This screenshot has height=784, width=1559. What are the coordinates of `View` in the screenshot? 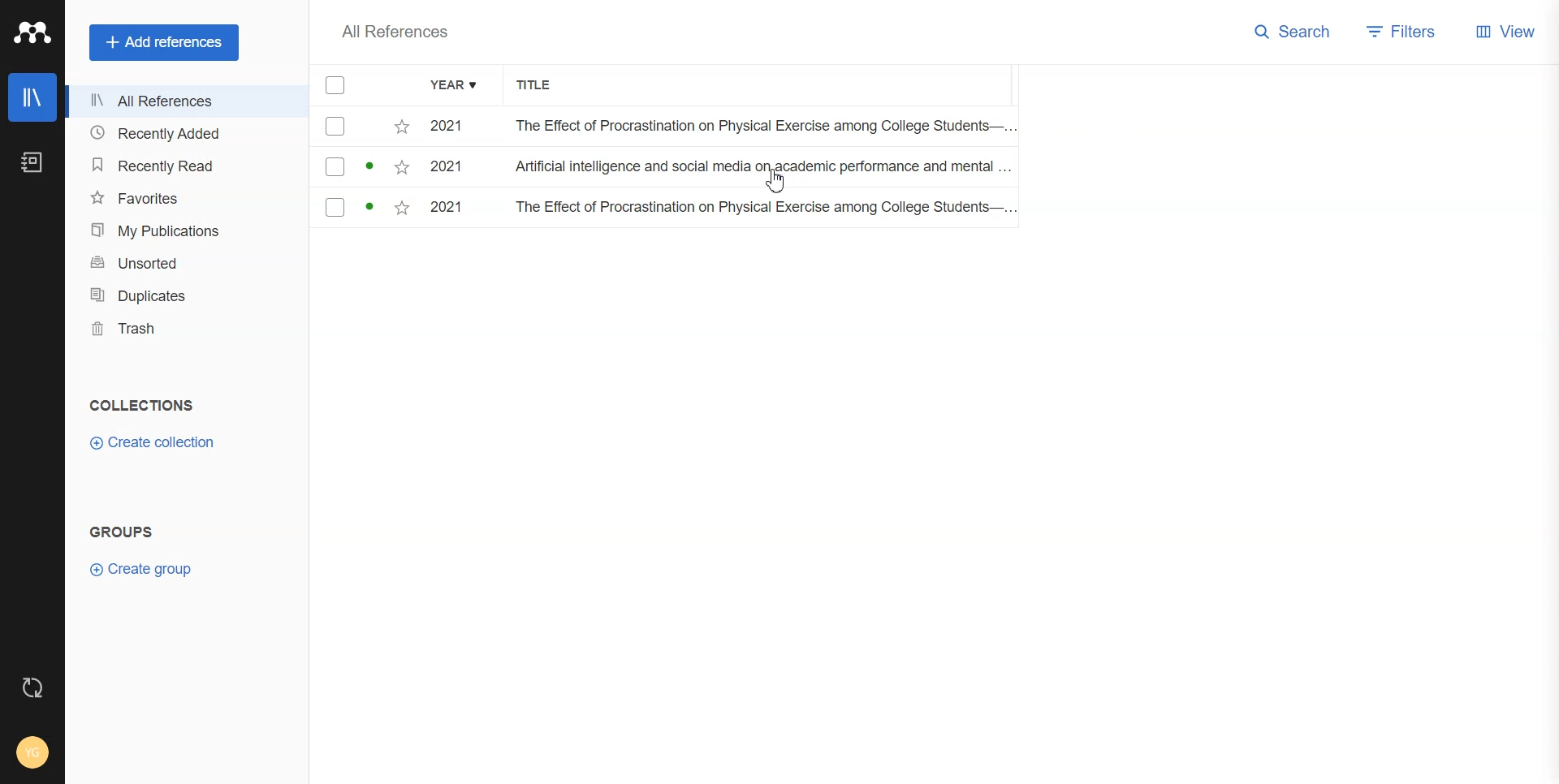 It's located at (1506, 30).